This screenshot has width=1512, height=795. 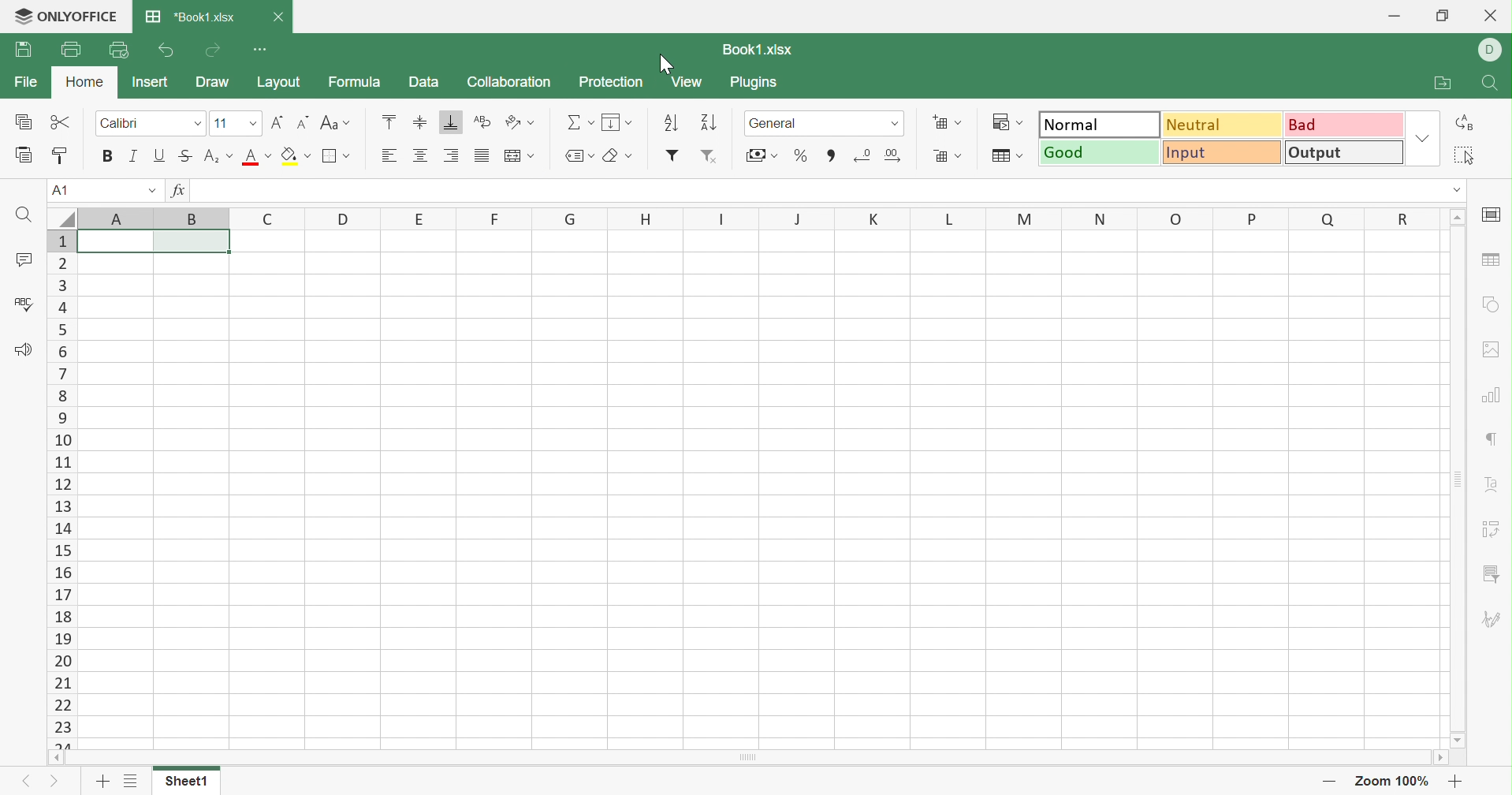 I want to click on Neutral, so click(x=1220, y=124).